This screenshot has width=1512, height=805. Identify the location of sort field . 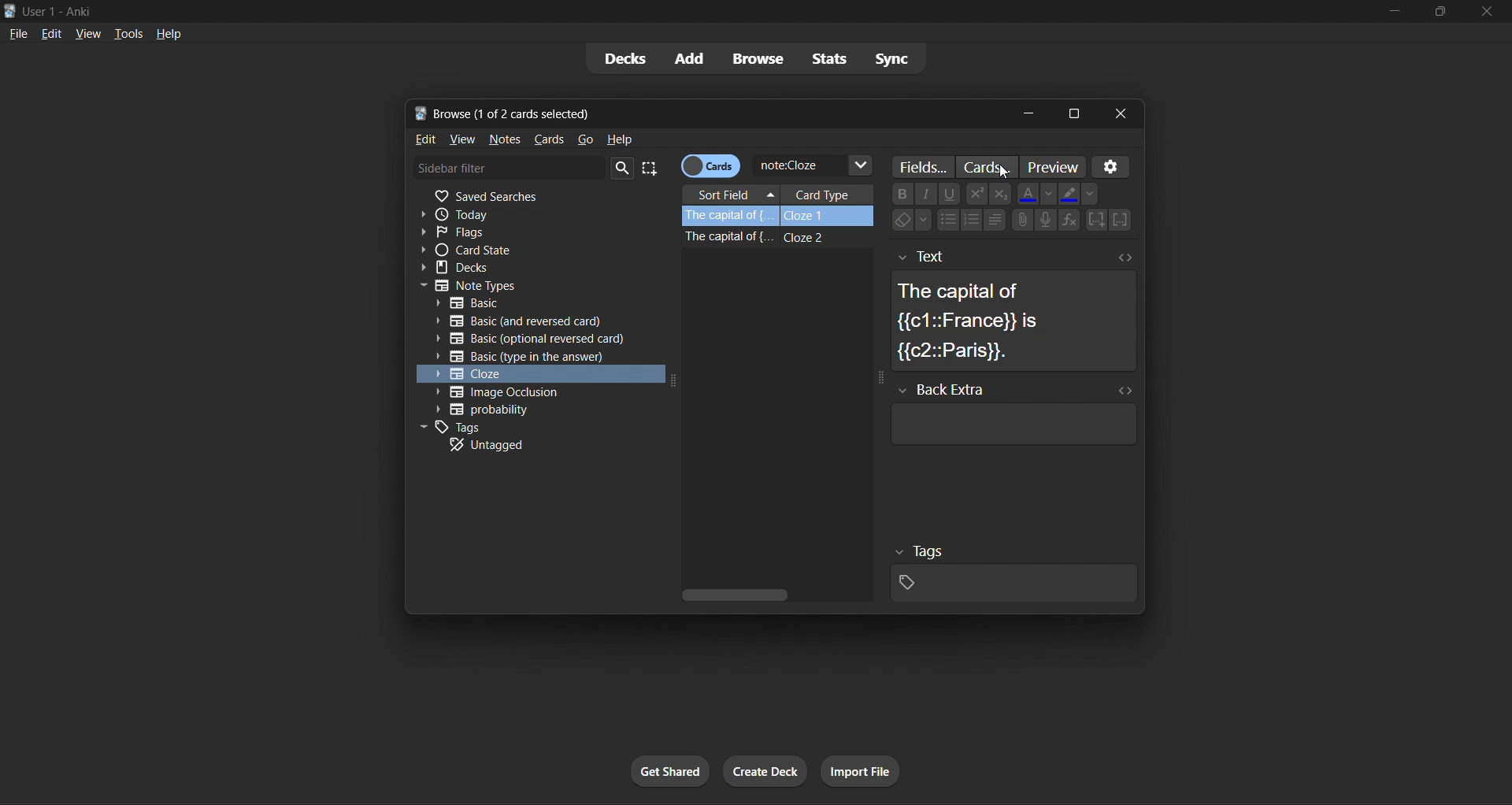
(731, 196).